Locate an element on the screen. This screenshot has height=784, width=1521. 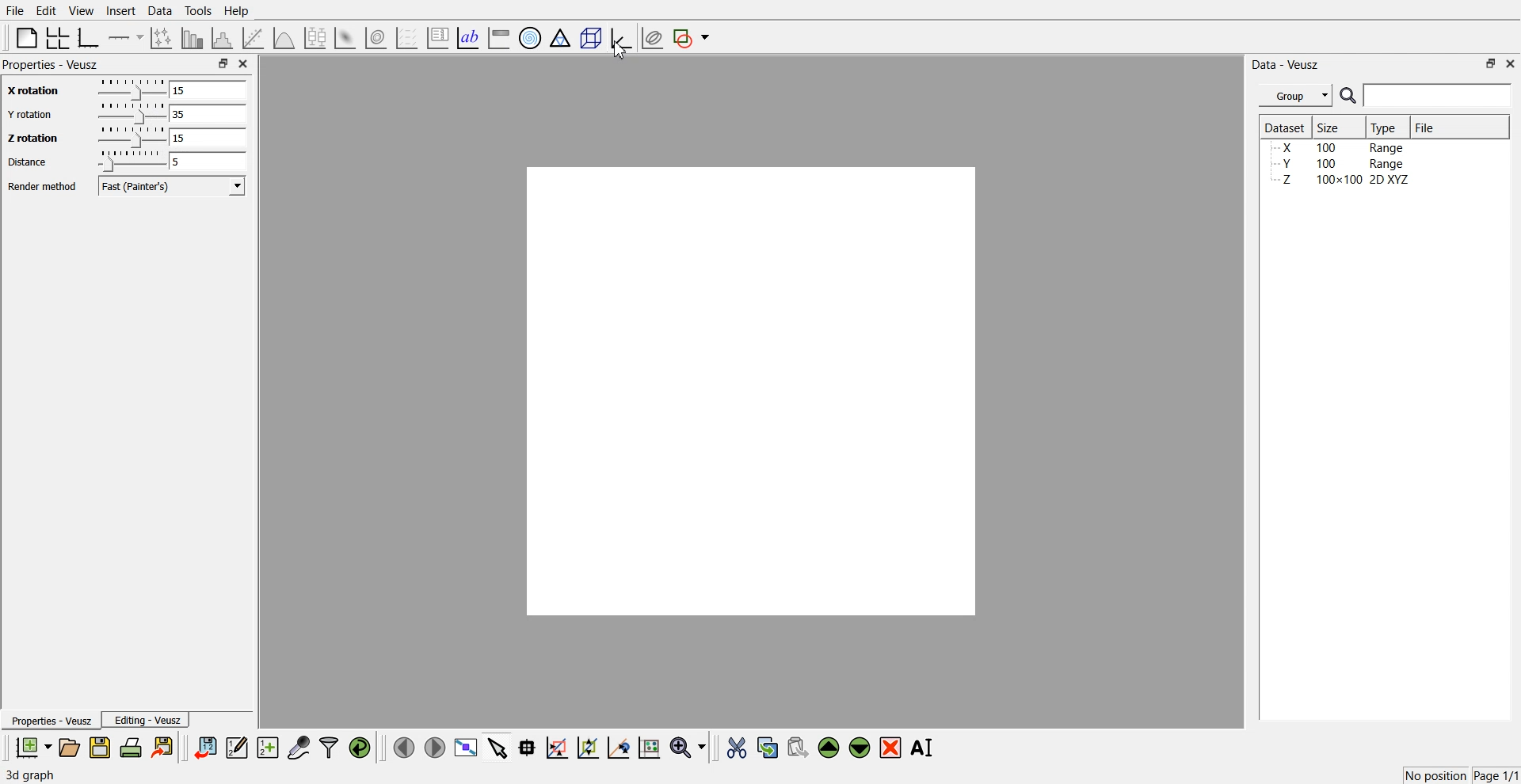
Filter dataset is located at coordinates (329, 747).